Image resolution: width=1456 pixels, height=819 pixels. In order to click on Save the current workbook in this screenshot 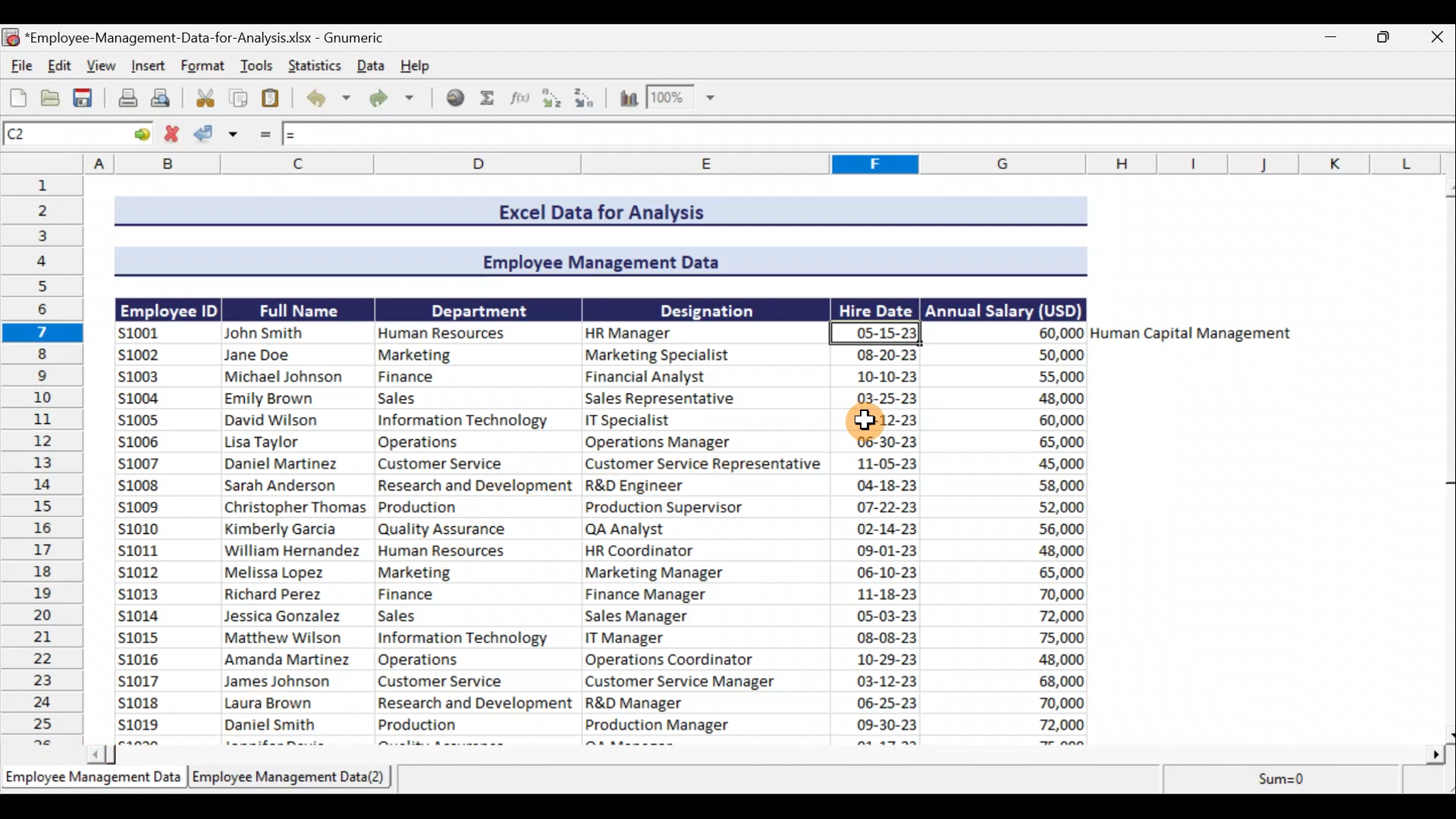, I will do `click(86, 98)`.